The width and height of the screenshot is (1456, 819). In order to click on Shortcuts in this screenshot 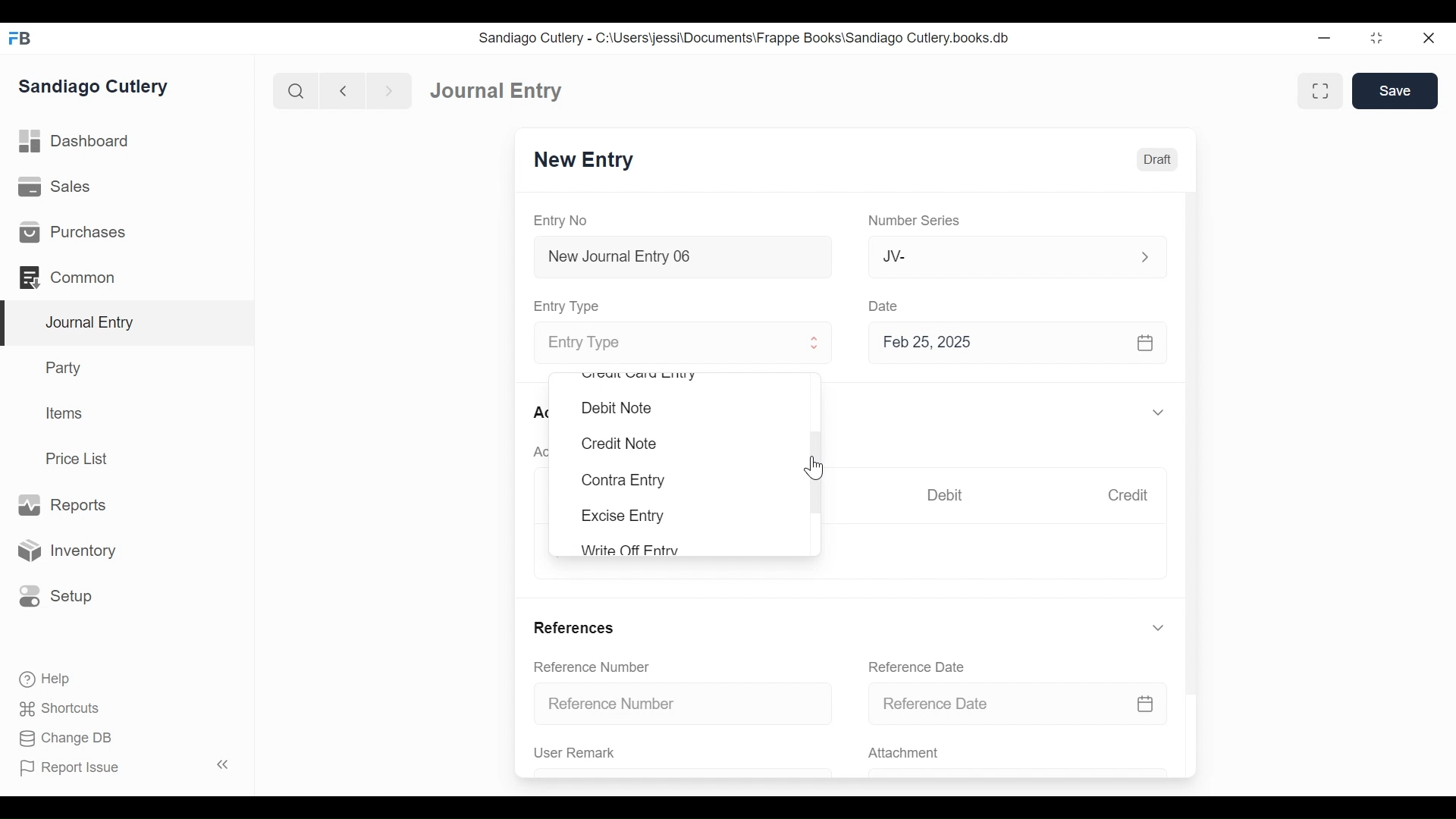, I will do `click(64, 708)`.